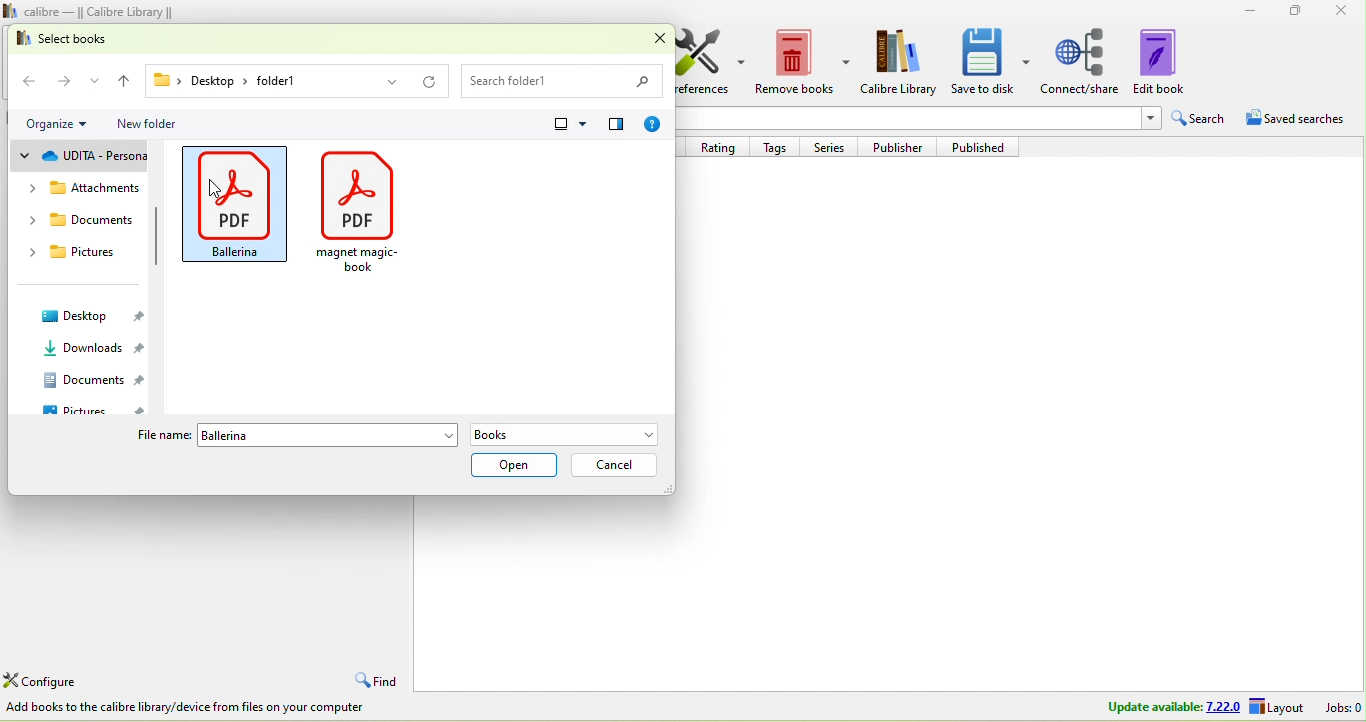 The height and width of the screenshot is (722, 1366). Describe the element at coordinates (79, 79) in the screenshot. I see `forward` at that location.